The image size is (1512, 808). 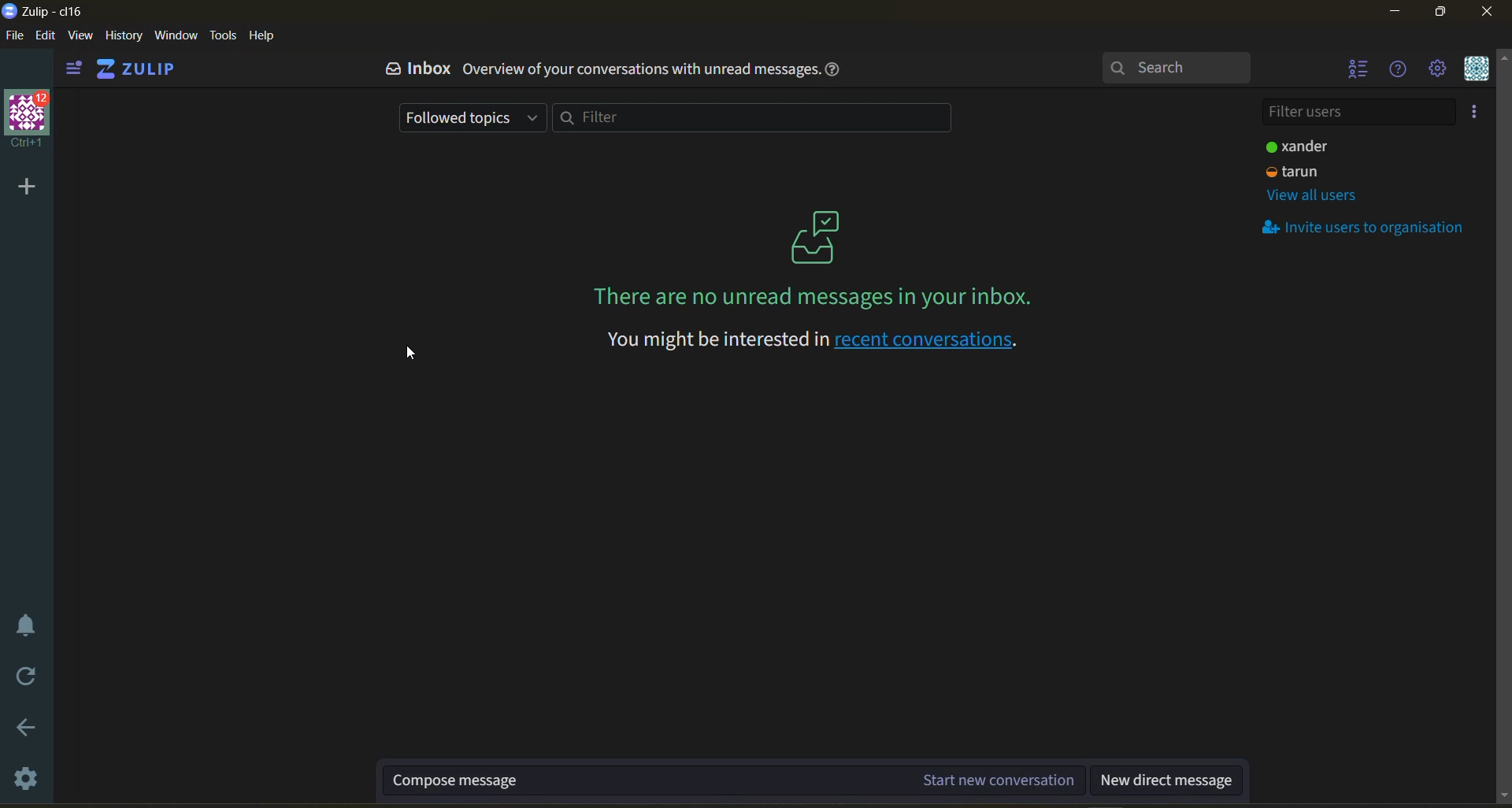 I want to click on history, so click(x=123, y=36).